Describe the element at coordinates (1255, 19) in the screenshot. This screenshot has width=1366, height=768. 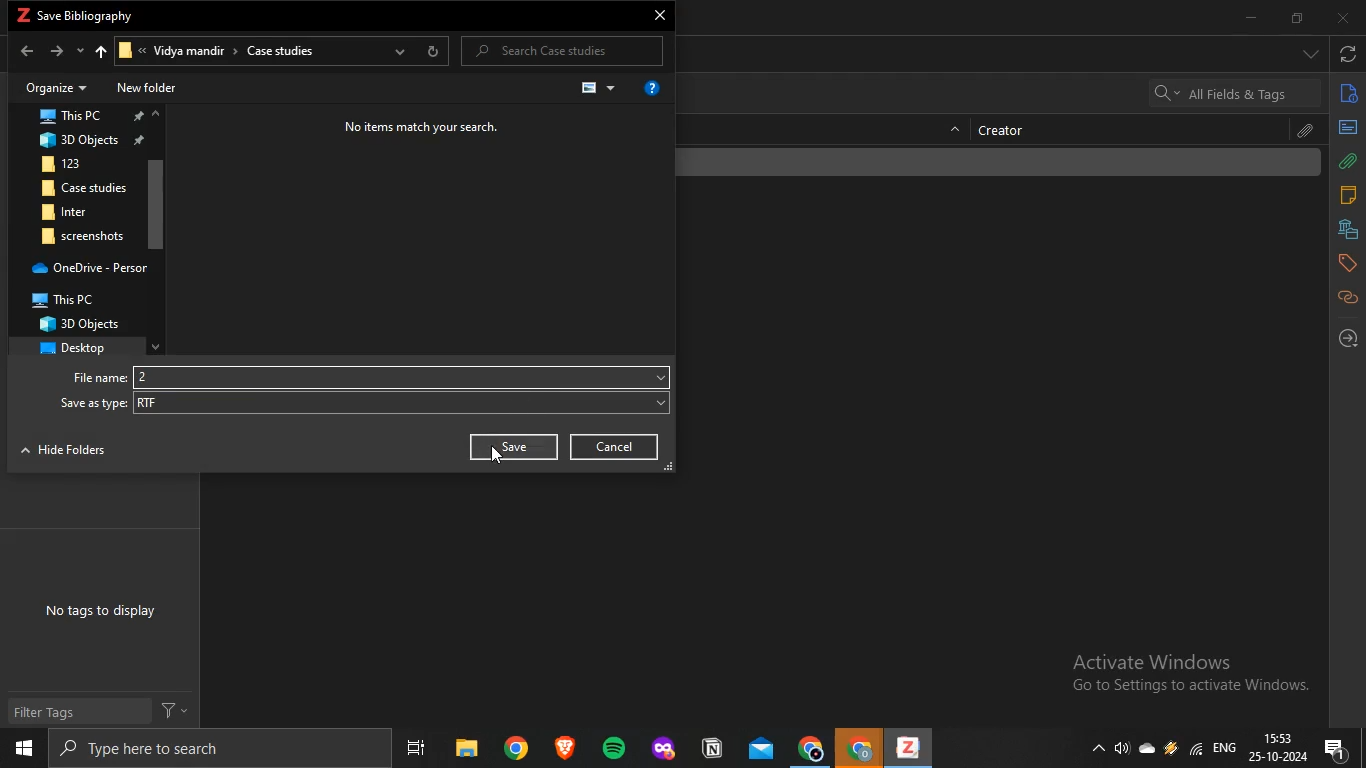
I see `minimize` at that location.